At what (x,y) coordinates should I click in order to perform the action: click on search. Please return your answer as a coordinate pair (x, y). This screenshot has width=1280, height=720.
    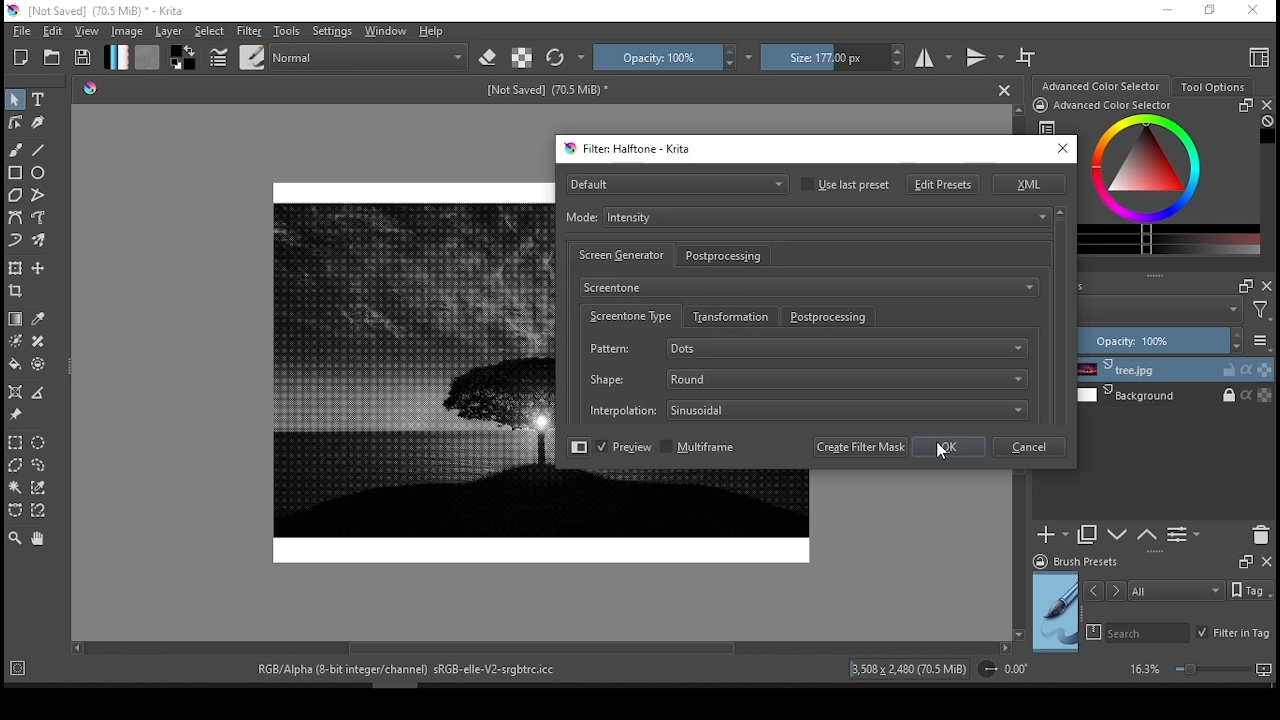
    Looking at the image, I should click on (1090, 632).